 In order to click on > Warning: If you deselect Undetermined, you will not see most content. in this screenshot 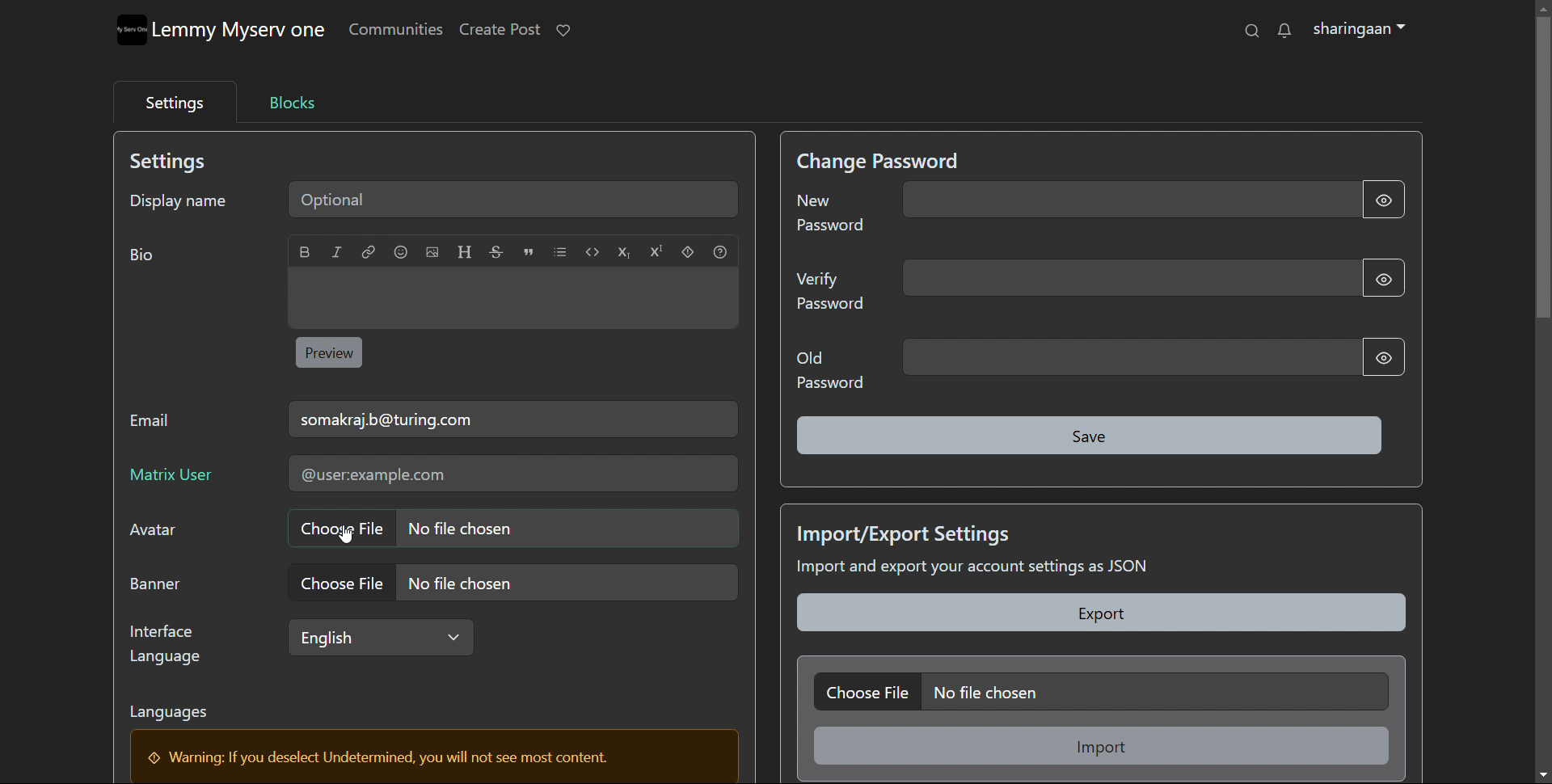, I will do `click(387, 758)`.